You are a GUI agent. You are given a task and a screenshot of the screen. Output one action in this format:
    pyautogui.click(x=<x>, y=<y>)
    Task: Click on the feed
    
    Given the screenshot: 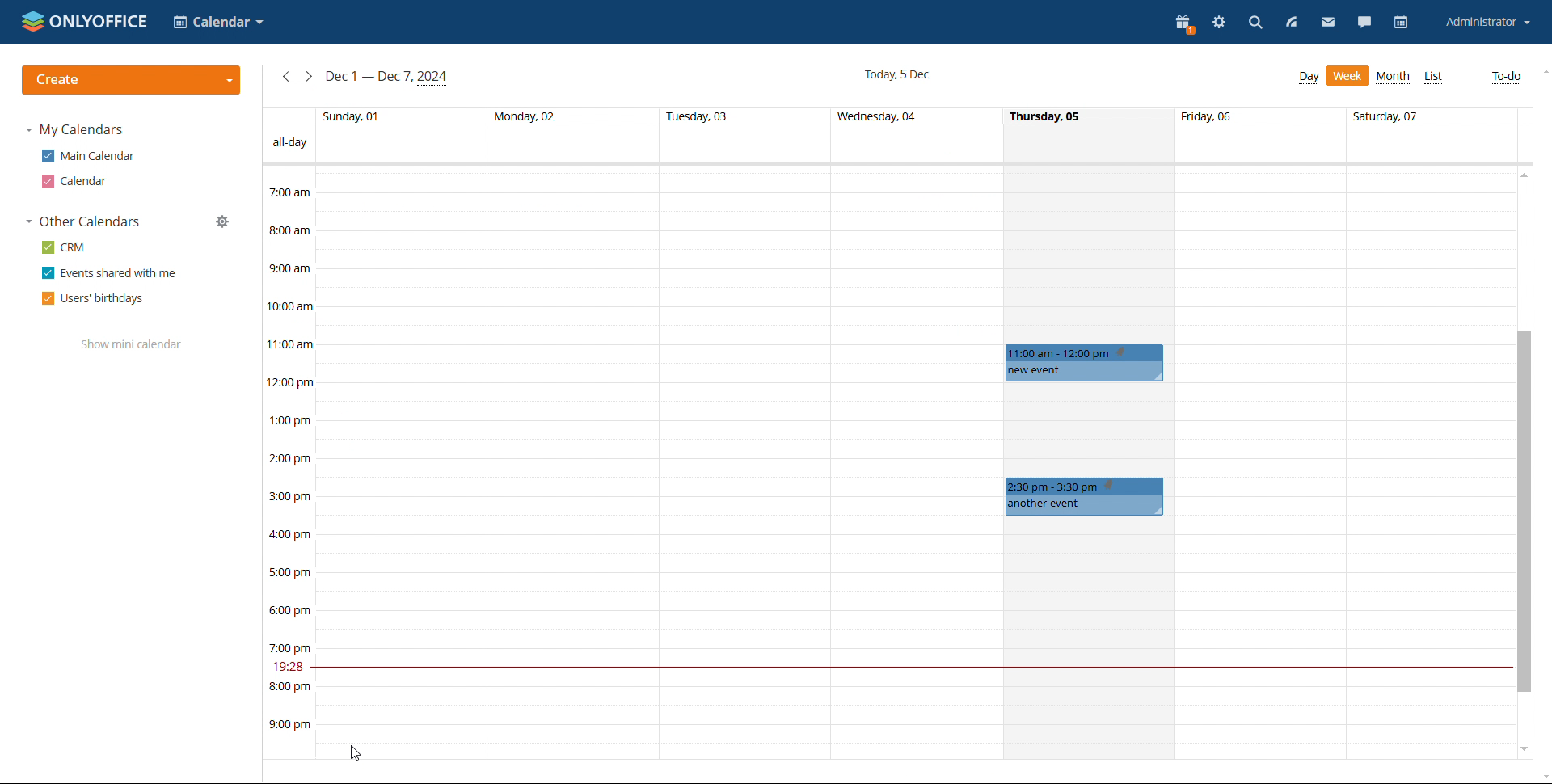 What is the action you would take?
    pyautogui.click(x=1290, y=23)
    